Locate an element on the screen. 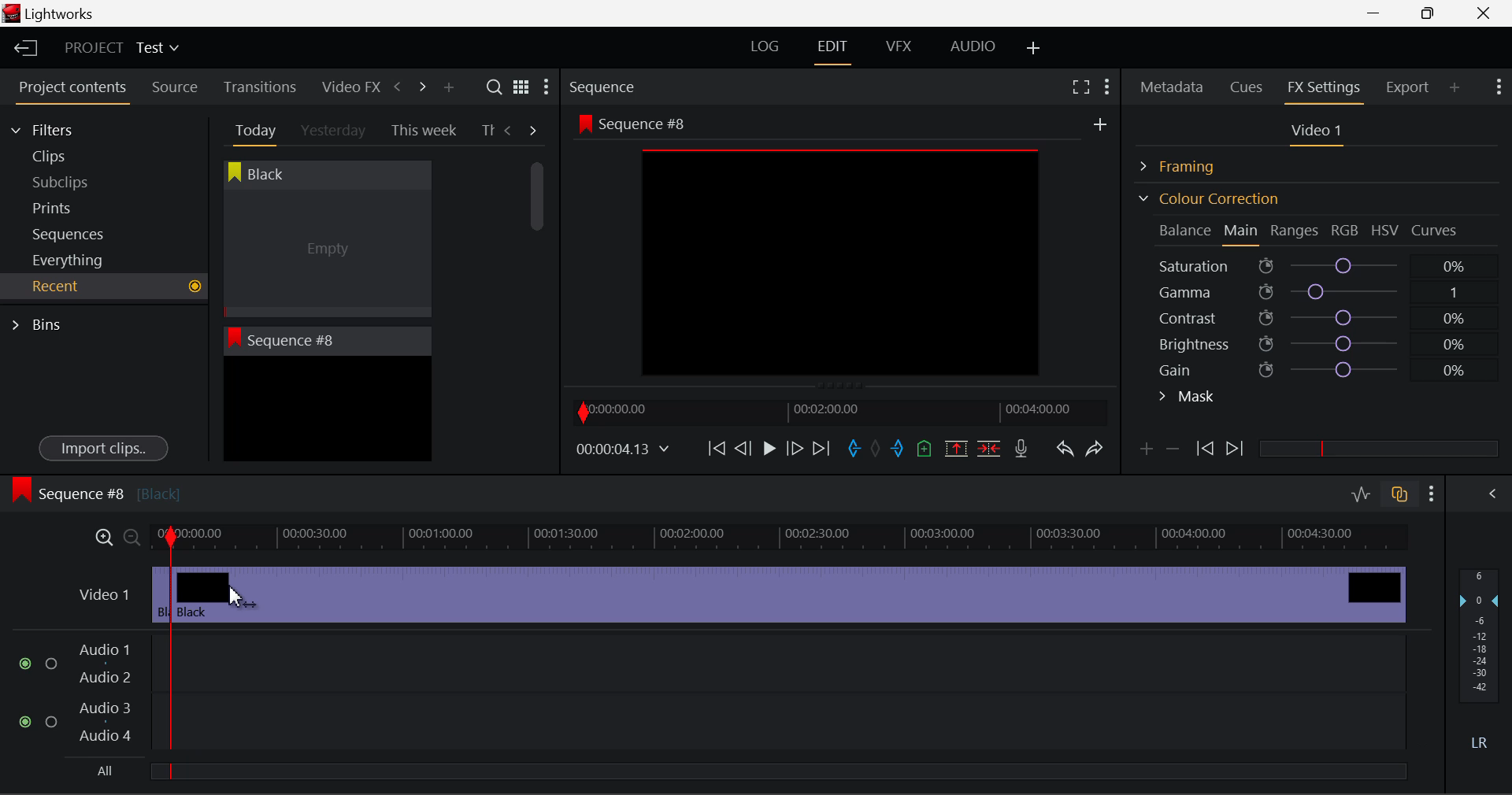  slider is located at coordinates (777, 771).